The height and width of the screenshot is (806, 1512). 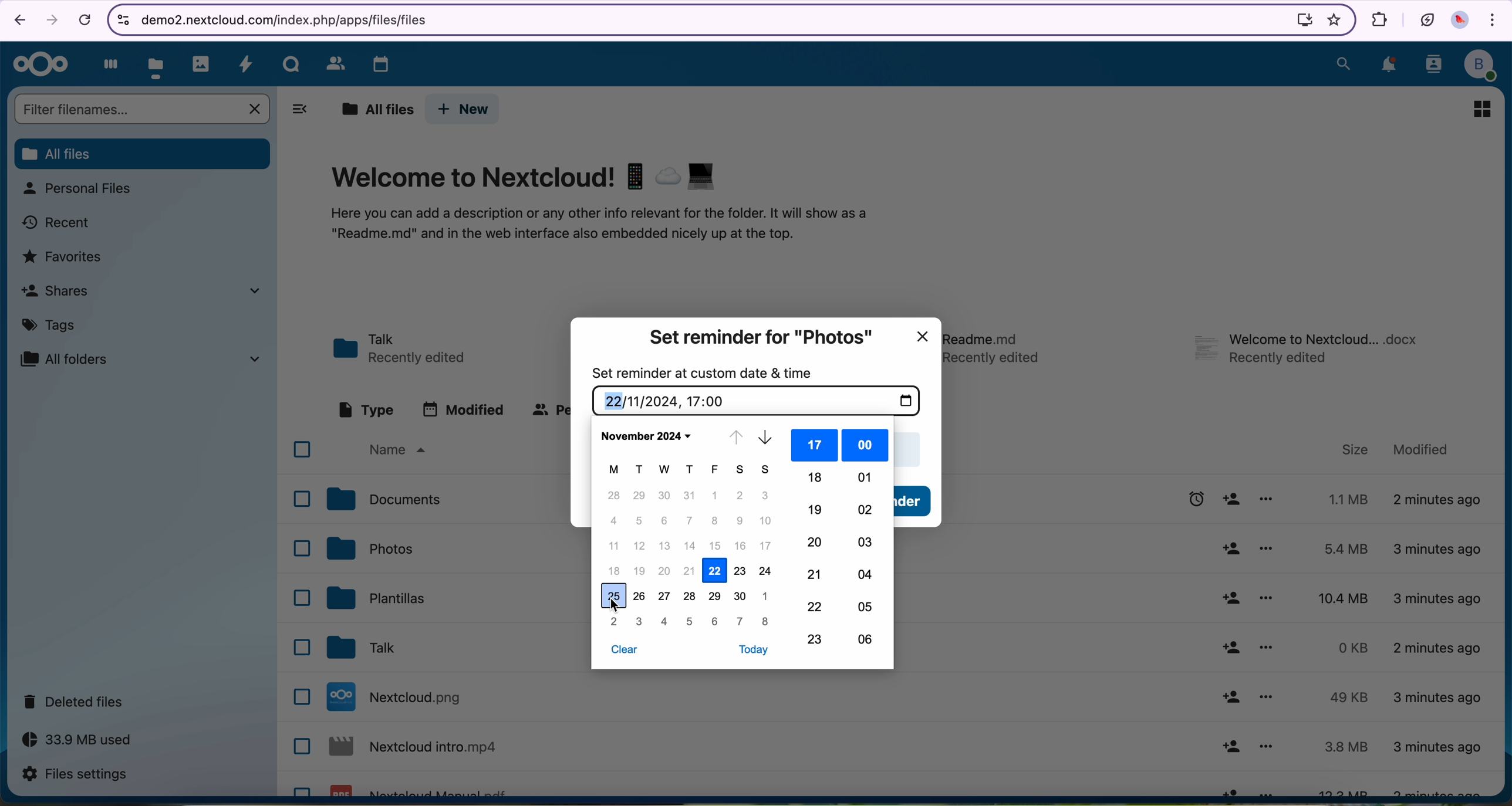 What do you see at coordinates (647, 435) in the screenshot?
I see `november 2024` at bounding box center [647, 435].